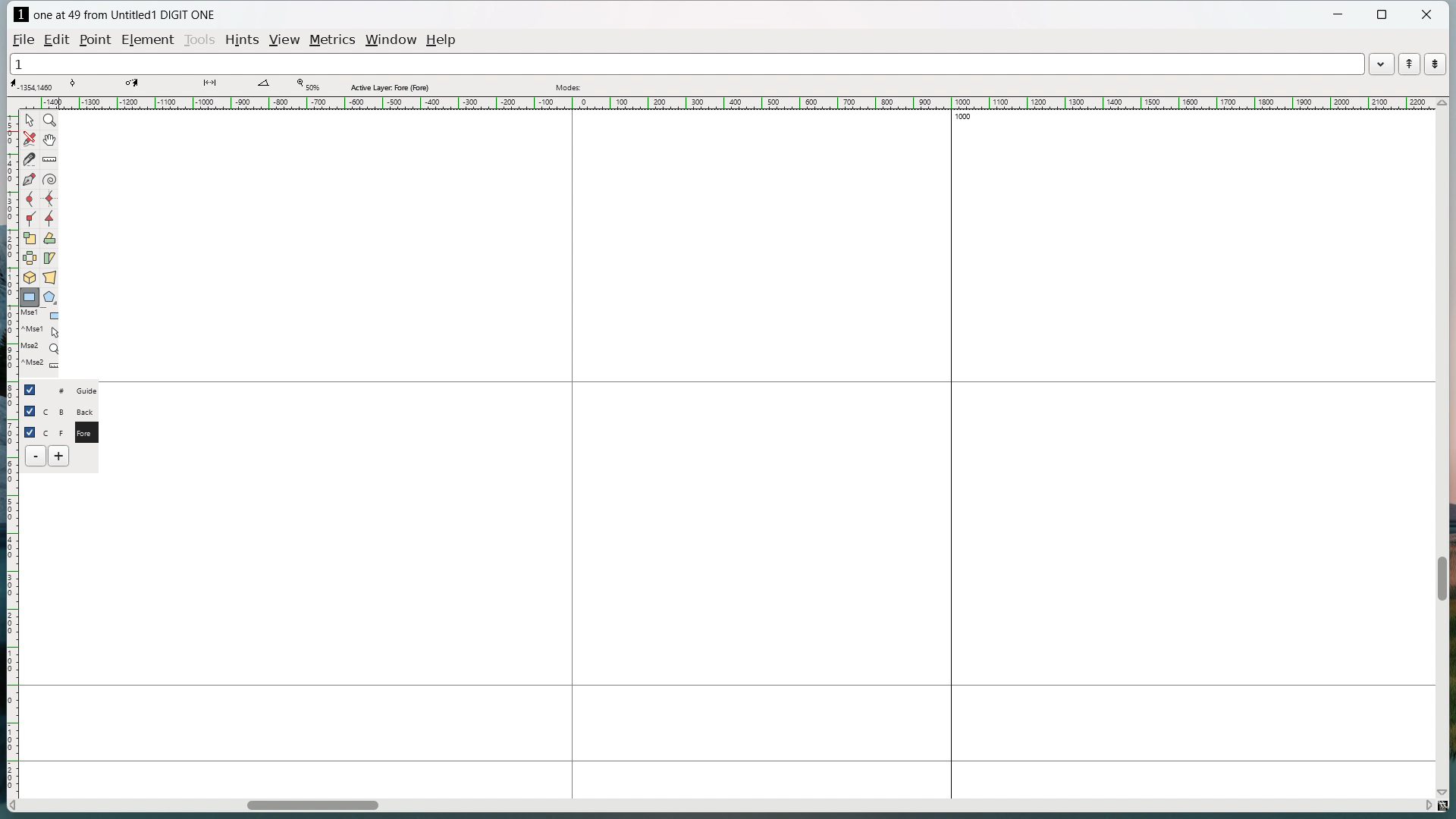 This screenshot has height=819, width=1456. What do you see at coordinates (126, 15) in the screenshot?
I see `one at 49 from Untitled1 DIGIT ONE` at bounding box center [126, 15].